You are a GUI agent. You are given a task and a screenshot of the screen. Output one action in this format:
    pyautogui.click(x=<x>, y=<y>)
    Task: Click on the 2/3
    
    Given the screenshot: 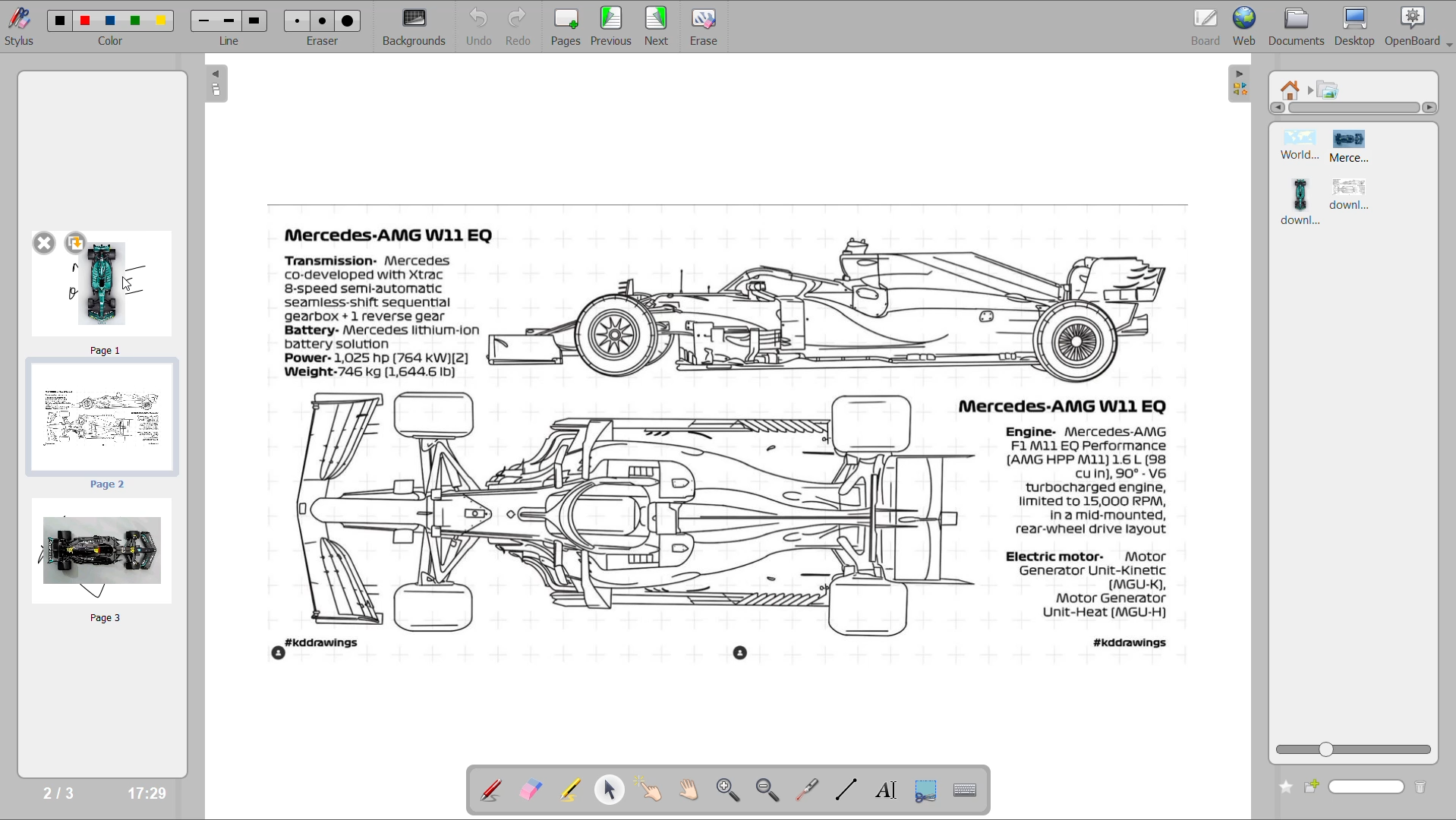 What is the action you would take?
    pyautogui.click(x=56, y=792)
    